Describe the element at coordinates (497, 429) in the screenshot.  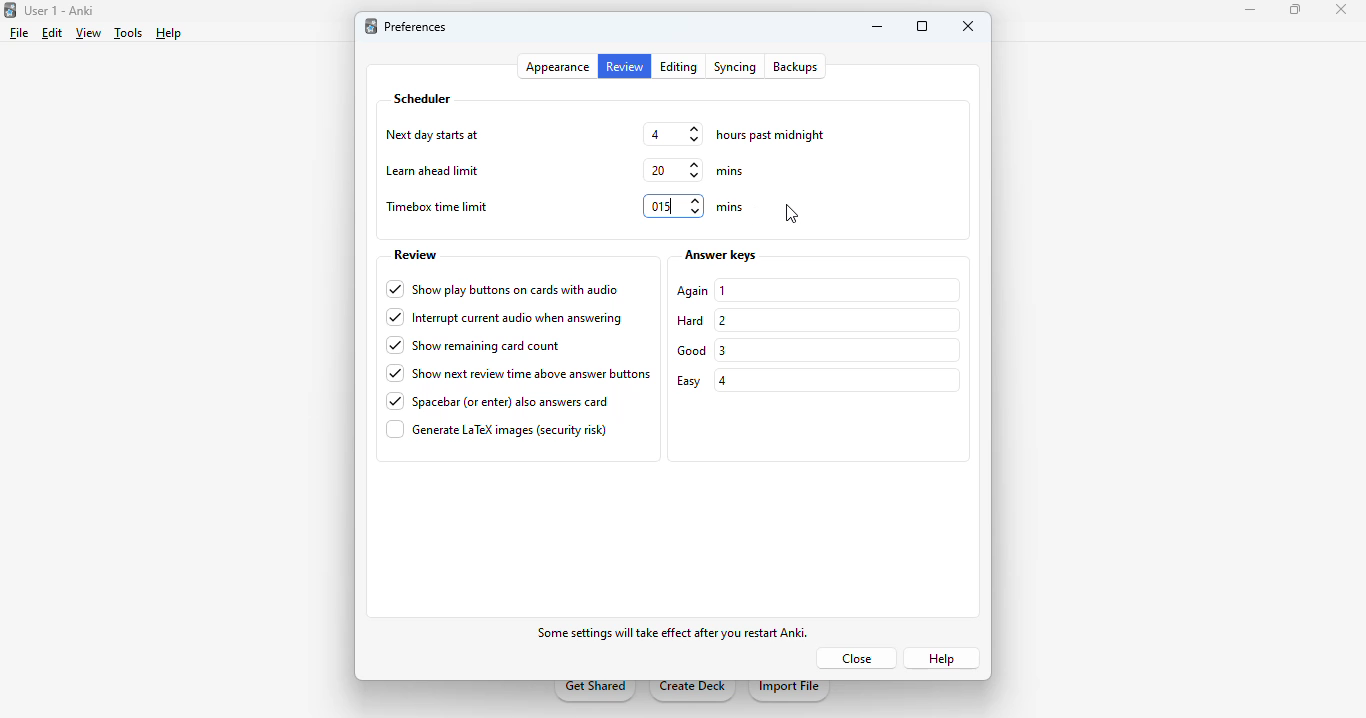
I see `generate LaTex images (security risk)` at that location.